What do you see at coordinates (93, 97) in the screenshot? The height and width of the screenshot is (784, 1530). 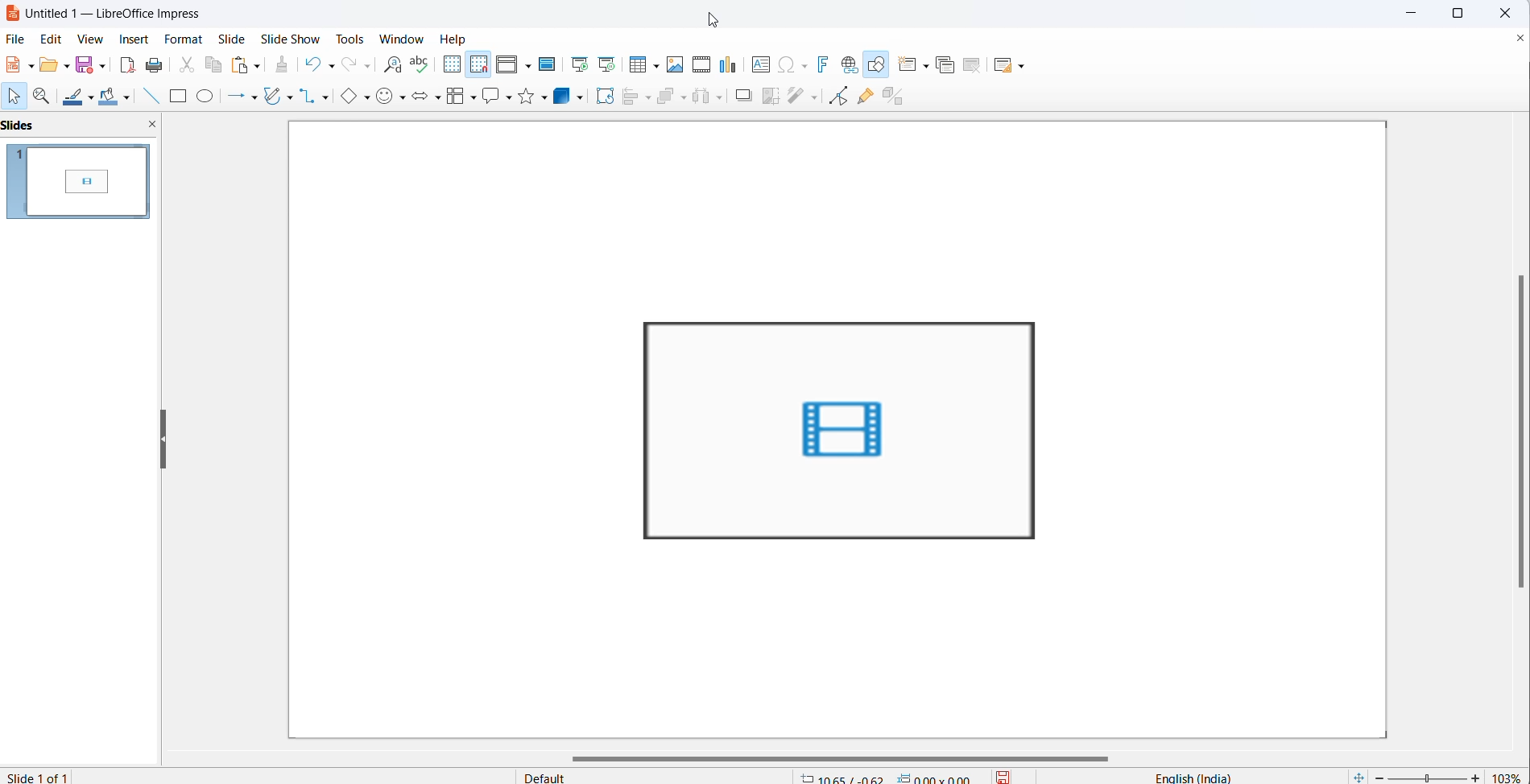 I see `line color` at bounding box center [93, 97].